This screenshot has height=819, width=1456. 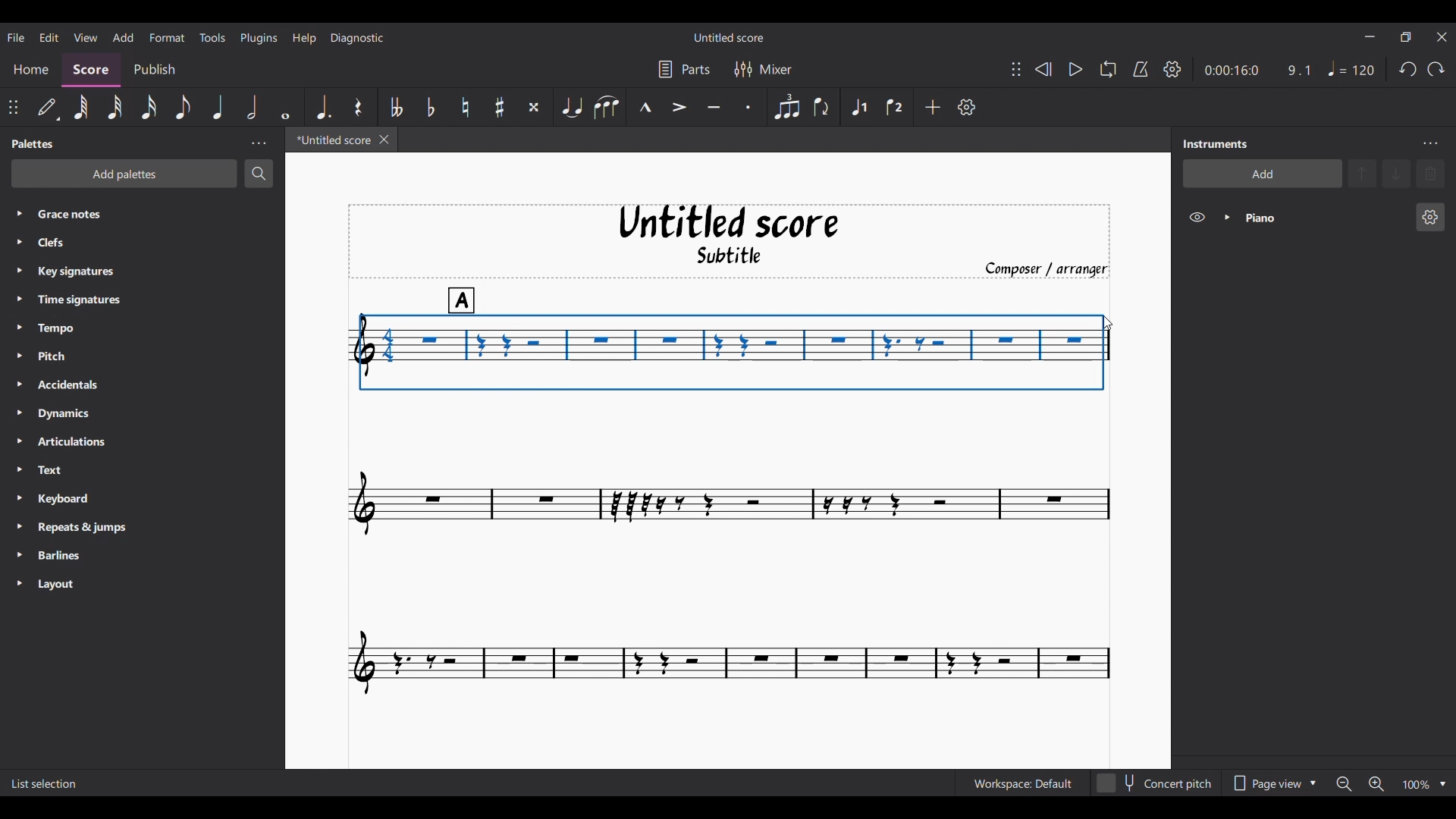 What do you see at coordinates (218, 107) in the screenshot?
I see `Quarter note` at bounding box center [218, 107].